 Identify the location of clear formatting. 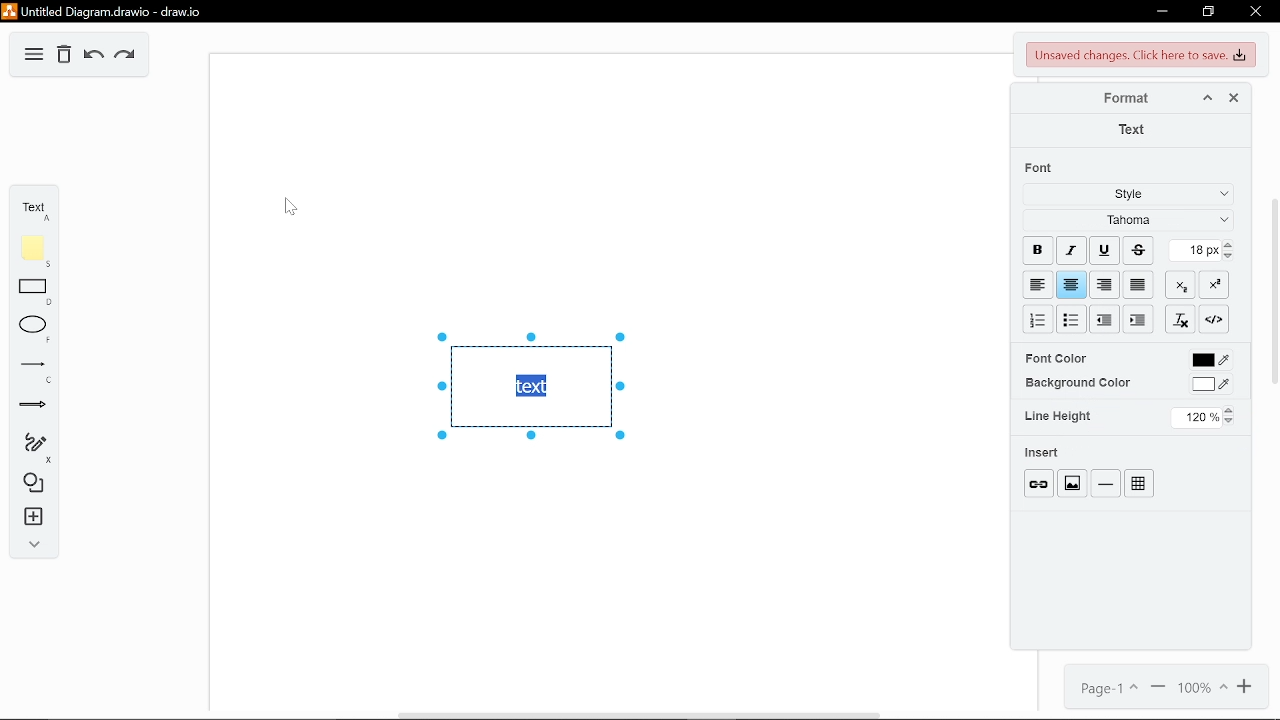
(1181, 319).